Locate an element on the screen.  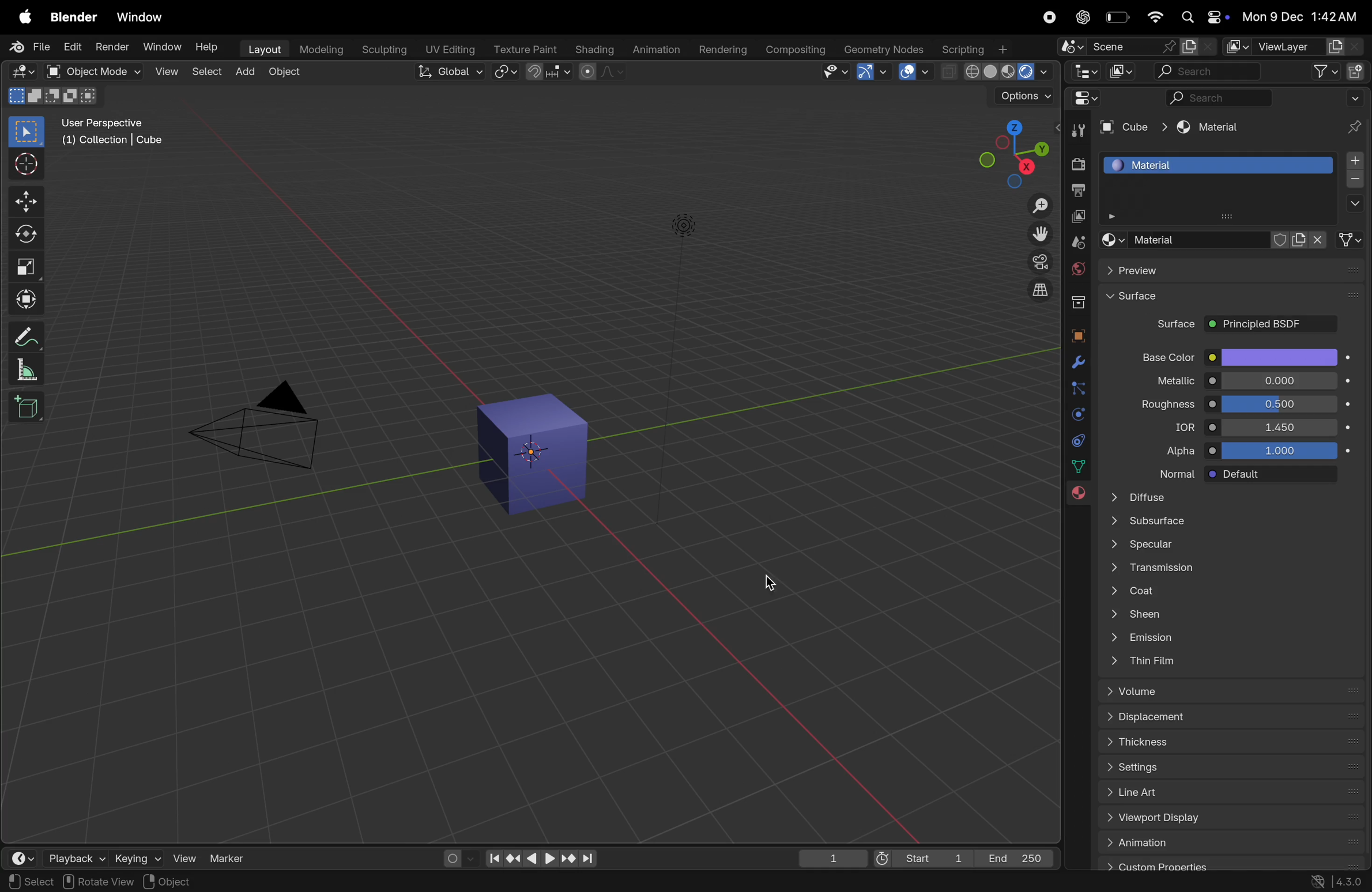
marker is located at coordinates (232, 857).